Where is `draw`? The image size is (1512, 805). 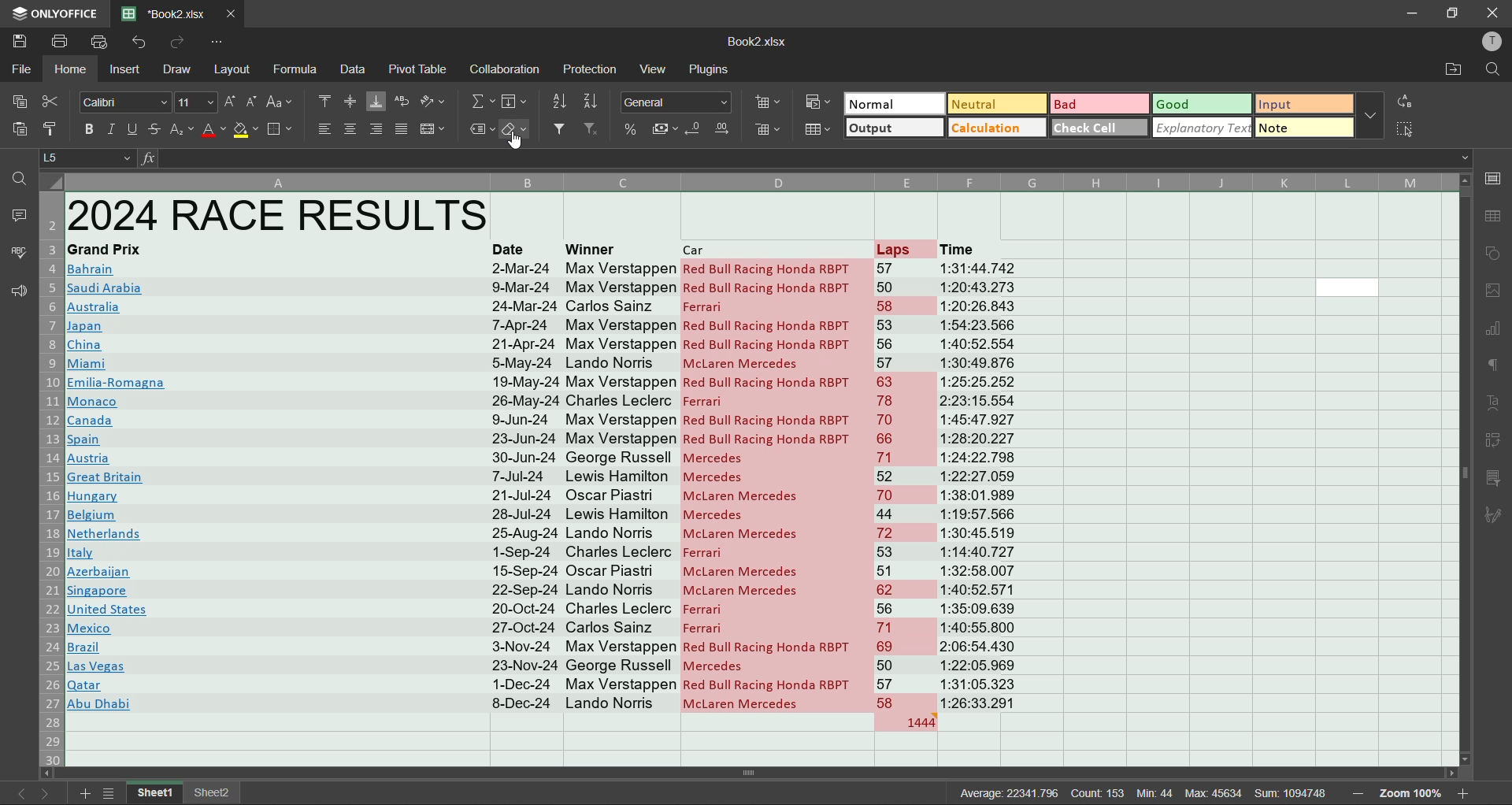
draw is located at coordinates (176, 69).